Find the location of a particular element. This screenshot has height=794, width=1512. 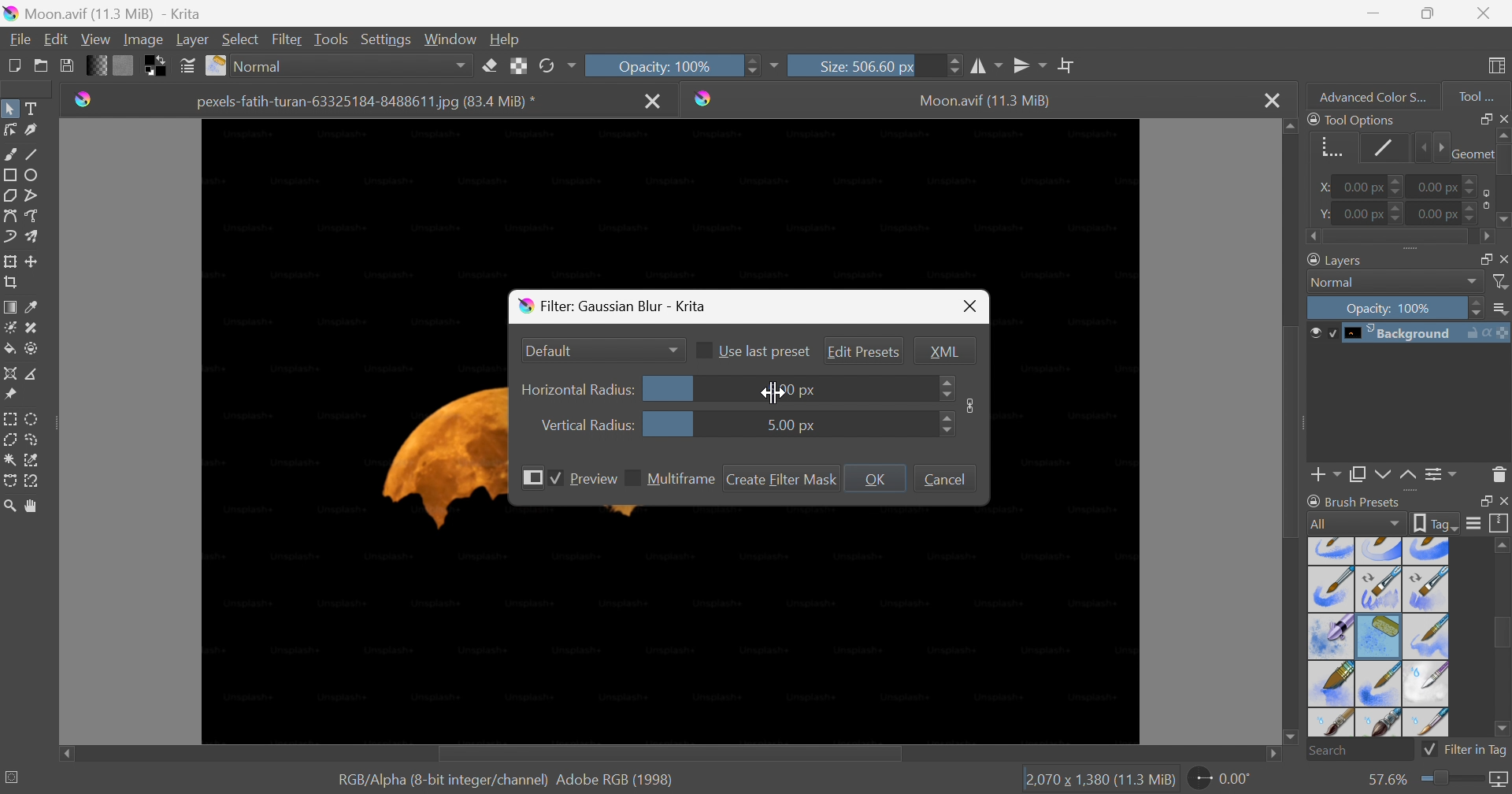

Types of brush is located at coordinates (1379, 636).